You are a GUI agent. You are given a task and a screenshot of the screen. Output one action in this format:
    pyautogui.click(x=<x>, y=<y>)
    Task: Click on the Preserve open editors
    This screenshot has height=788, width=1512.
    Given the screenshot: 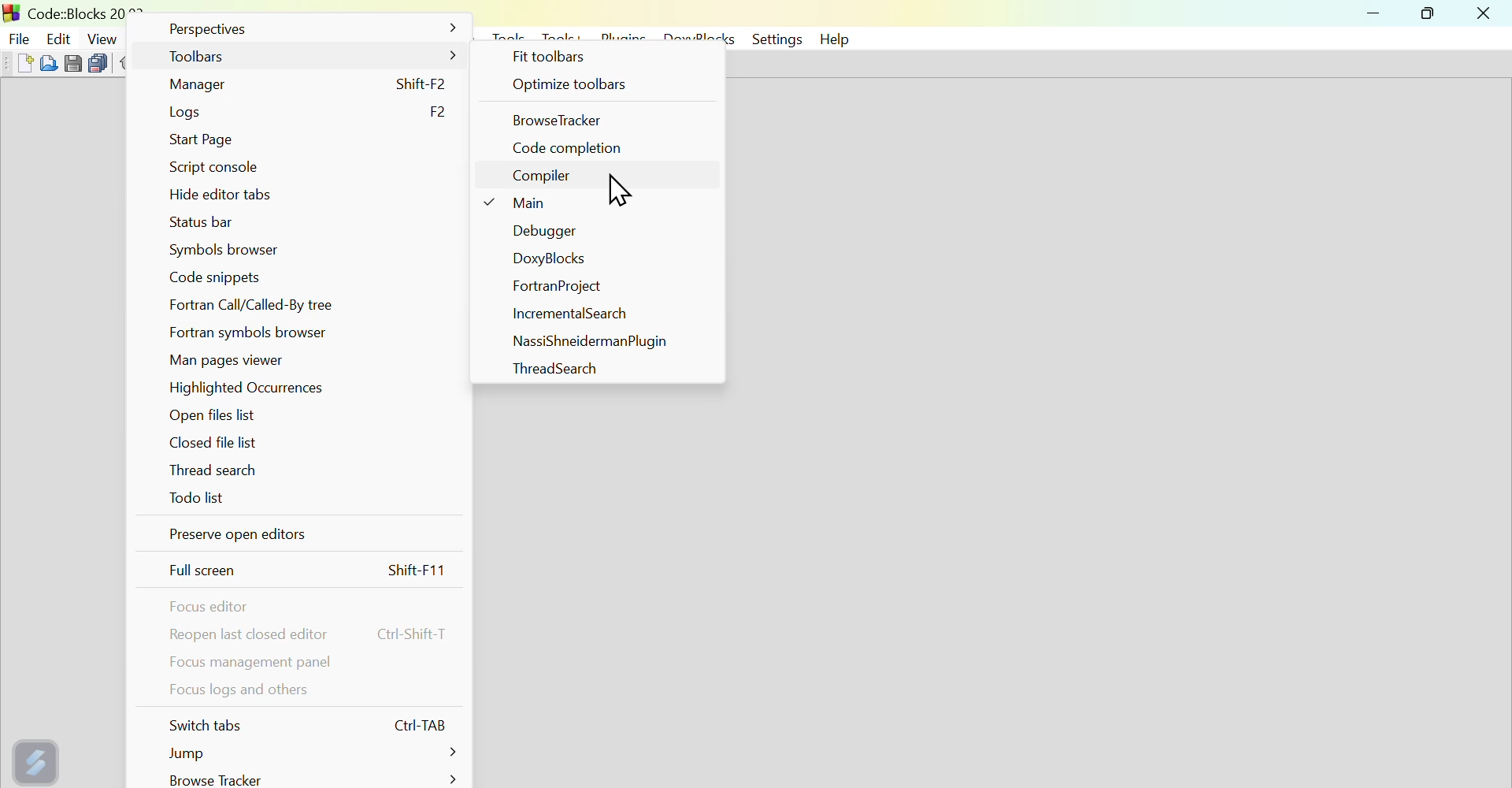 What is the action you would take?
    pyautogui.click(x=298, y=539)
    